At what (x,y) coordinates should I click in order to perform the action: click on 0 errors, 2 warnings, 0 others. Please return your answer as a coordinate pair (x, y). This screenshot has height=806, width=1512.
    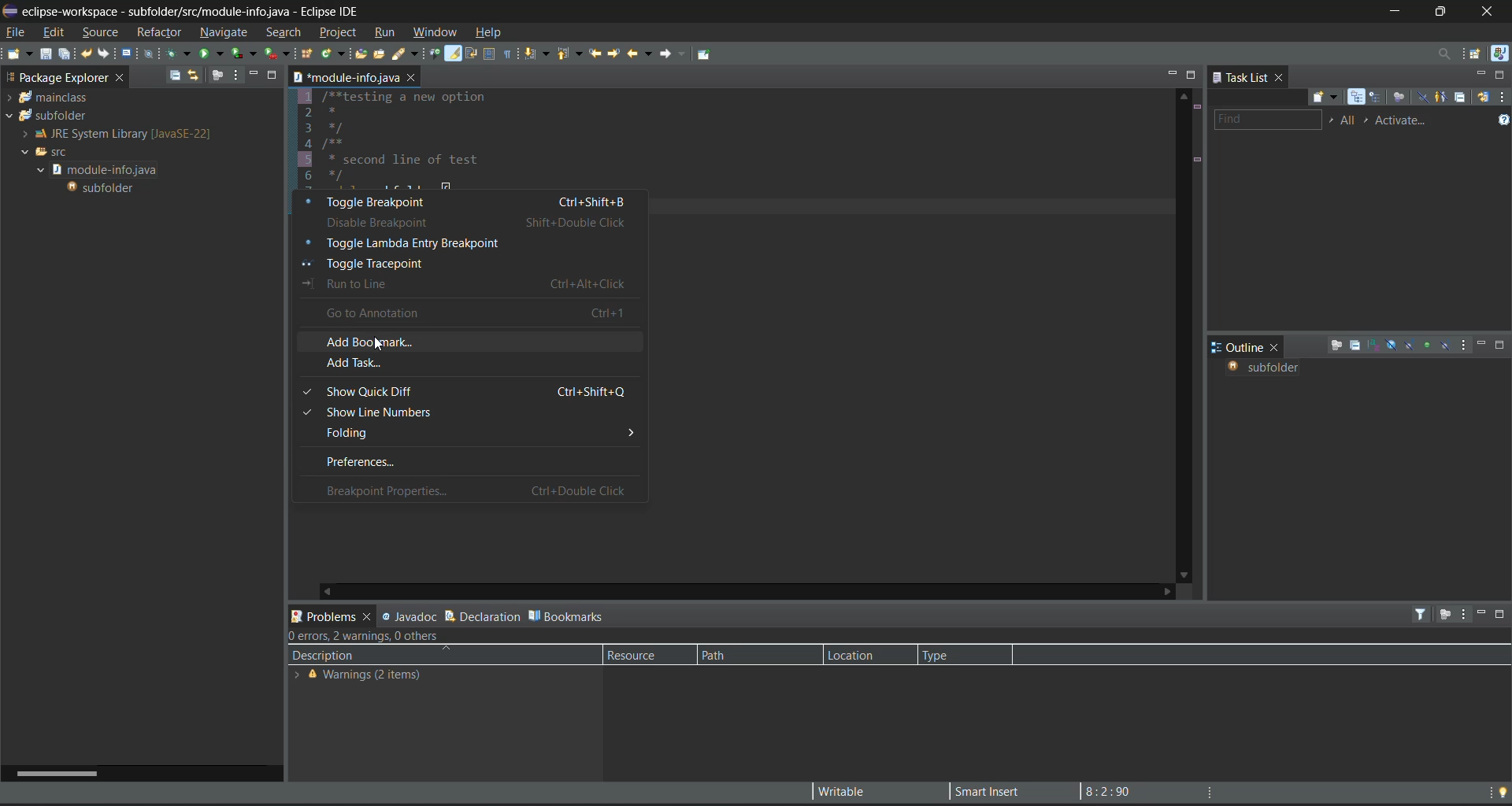
    Looking at the image, I should click on (374, 636).